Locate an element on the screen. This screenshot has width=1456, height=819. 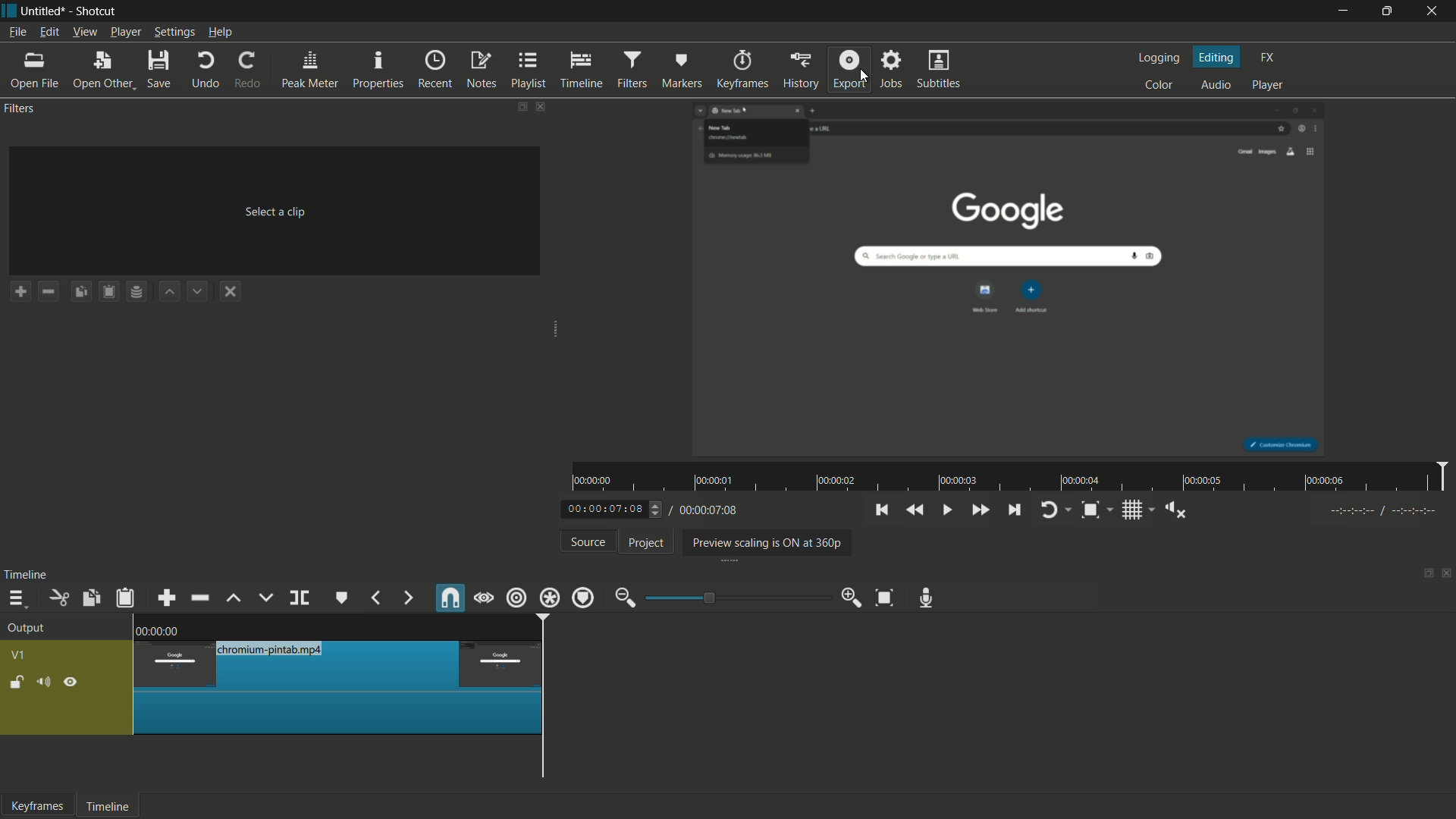
adjustment bar is located at coordinates (739, 598).